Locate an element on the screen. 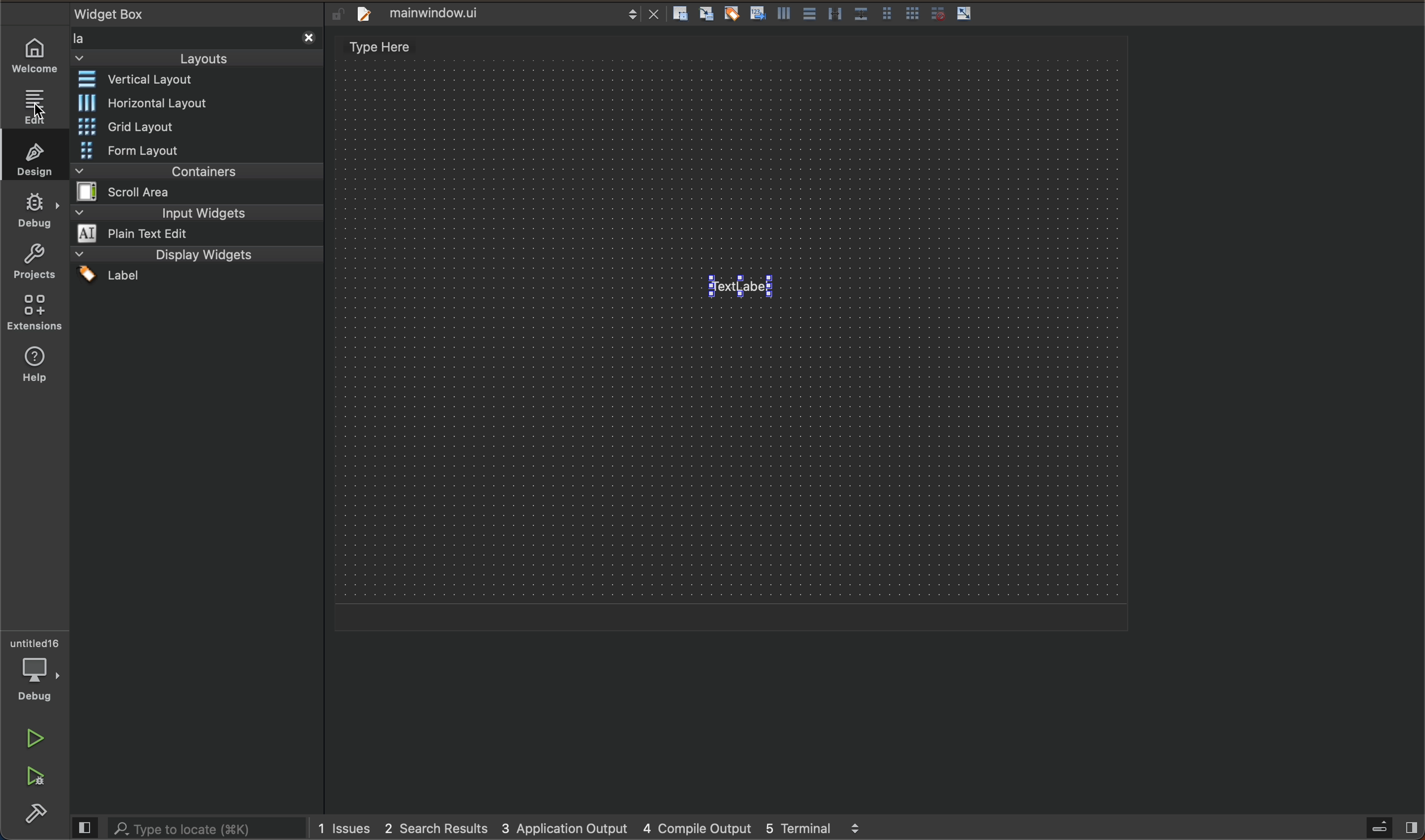  horizontal splitter is located at coordinates (835, 13).